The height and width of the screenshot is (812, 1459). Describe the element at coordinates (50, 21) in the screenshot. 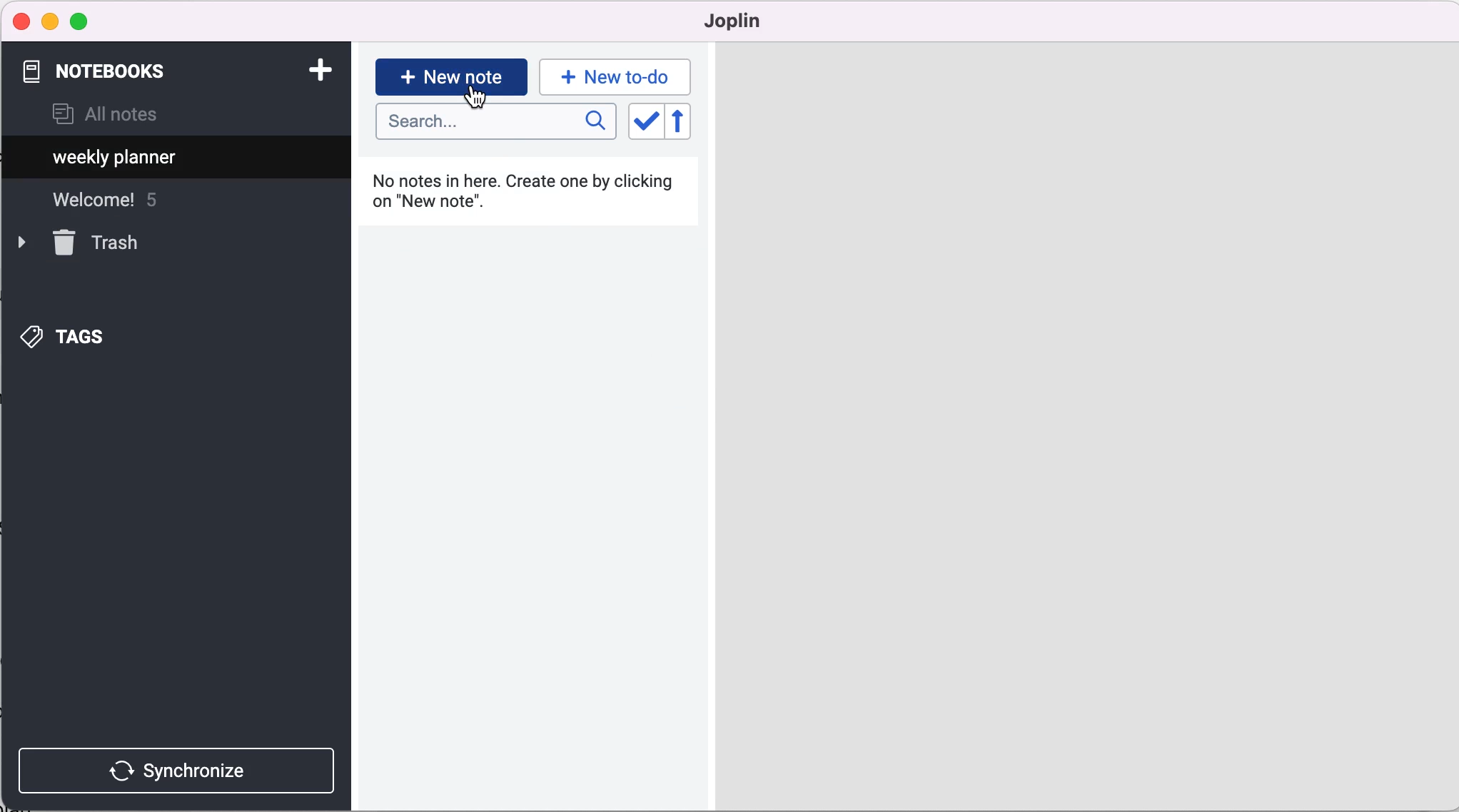

I see `minimize` at that location.